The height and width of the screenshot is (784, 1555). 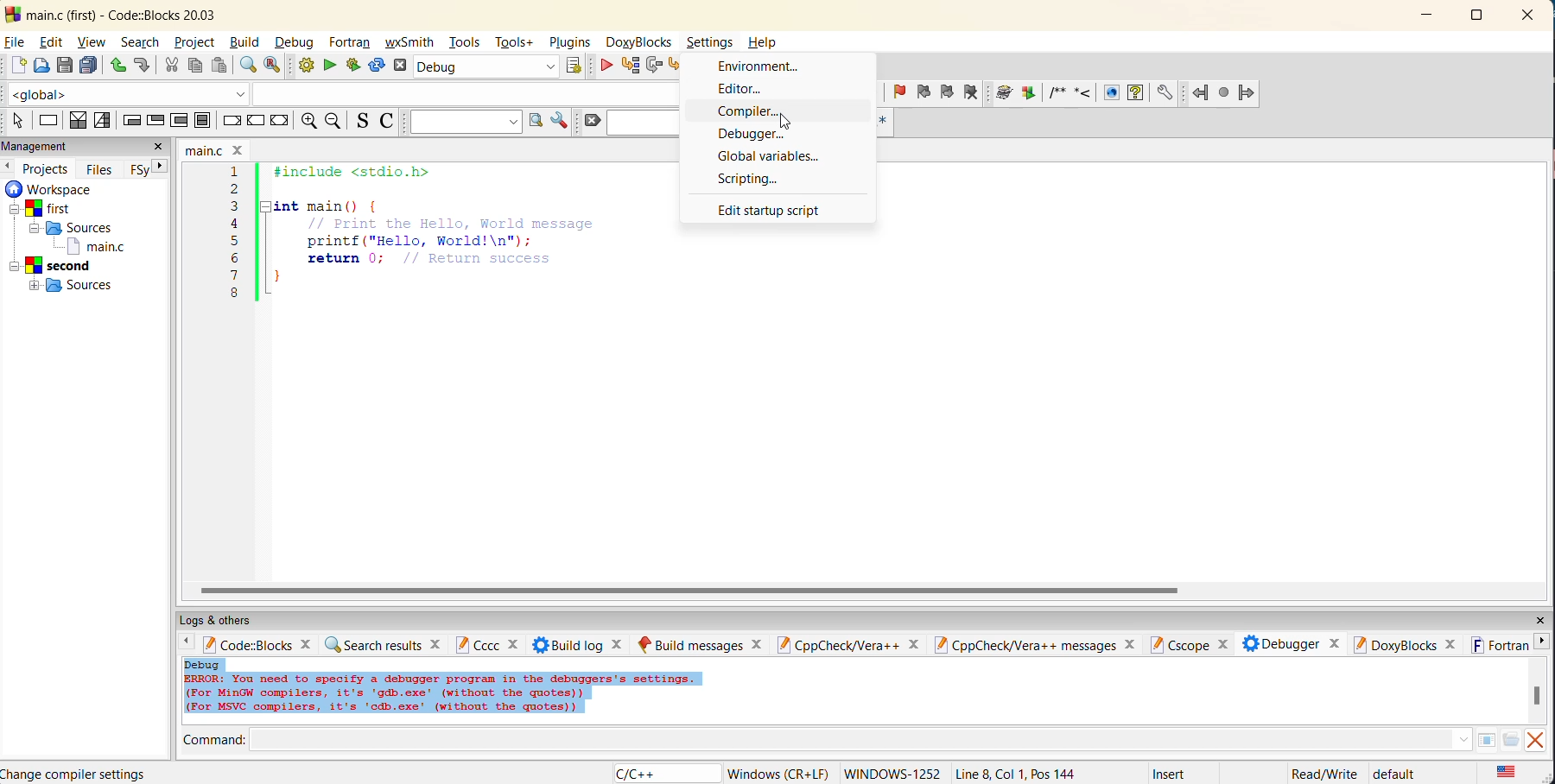 I want to click on 1 #include <stdio.h>2 3 int main() { 4 // Print the Hello, World message 5 printf{"Hello, World!\n"}; 6 return 0; // Return success 7 8 , so click(x=435, y=243).